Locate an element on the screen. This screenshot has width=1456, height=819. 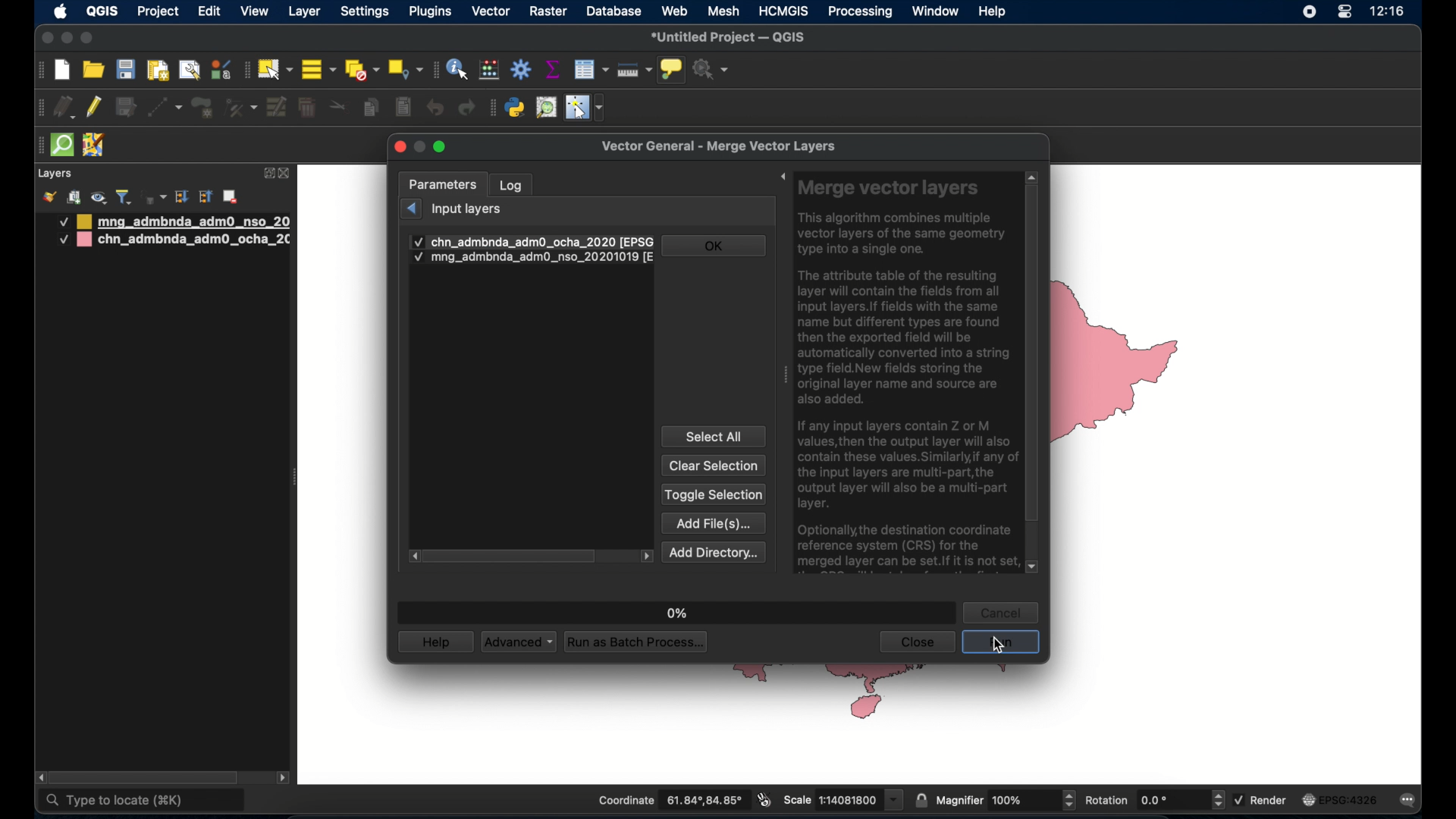
QGIS is located at coordinates (101, 11).